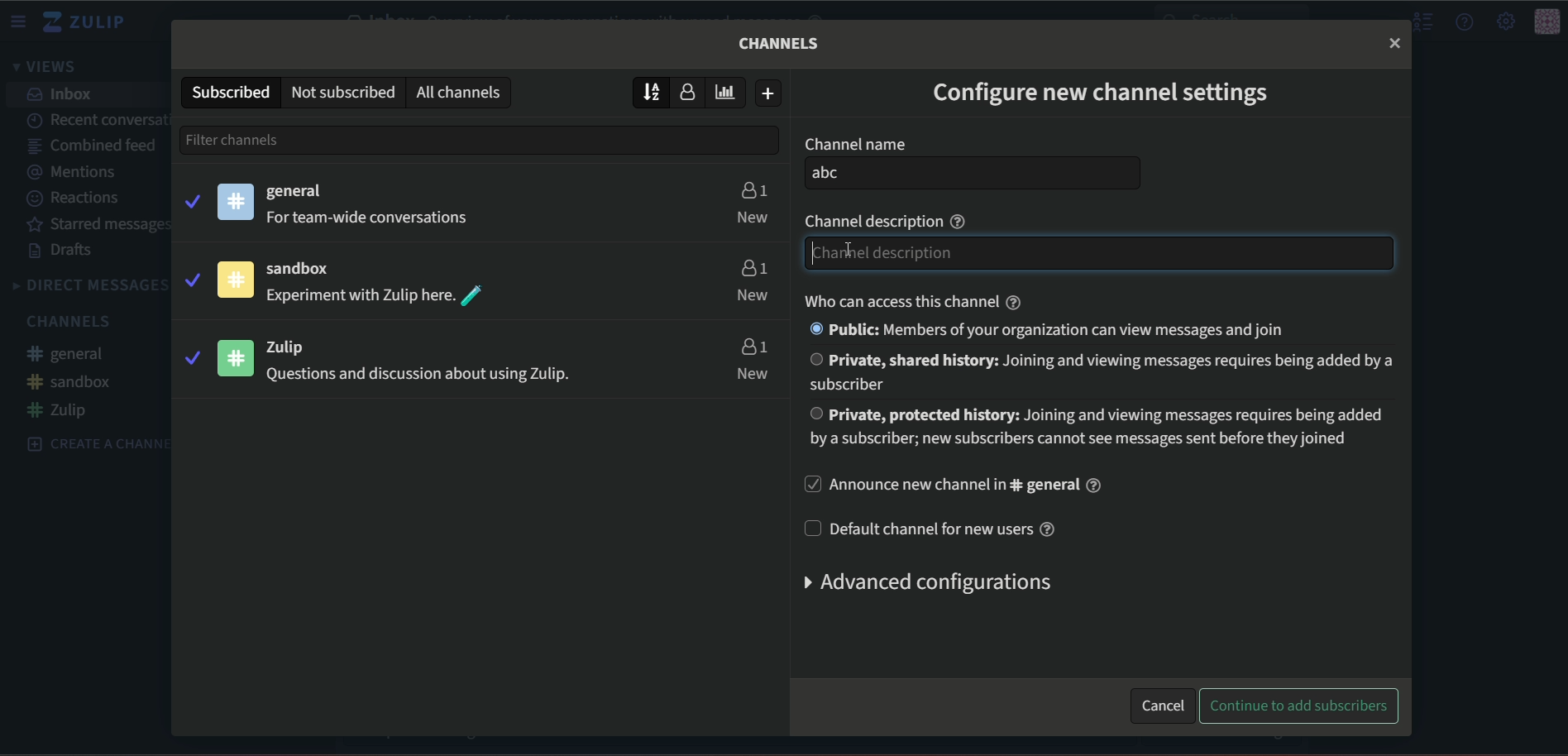 This screenshot has height=756, width=1568. What do you see at coordinates (770, 93) in the screenshot?
I see `add` at bounding box center [770, 93].